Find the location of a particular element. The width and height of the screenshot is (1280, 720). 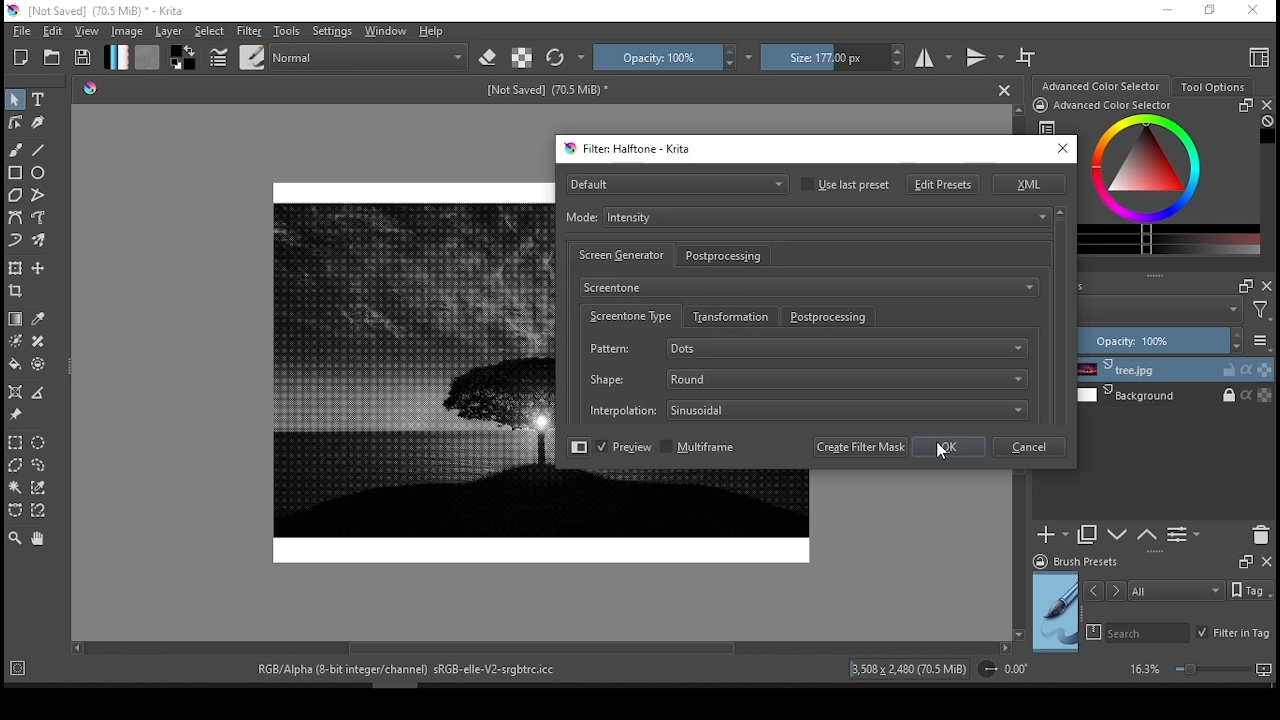

window is located at coordinates (386, 31).